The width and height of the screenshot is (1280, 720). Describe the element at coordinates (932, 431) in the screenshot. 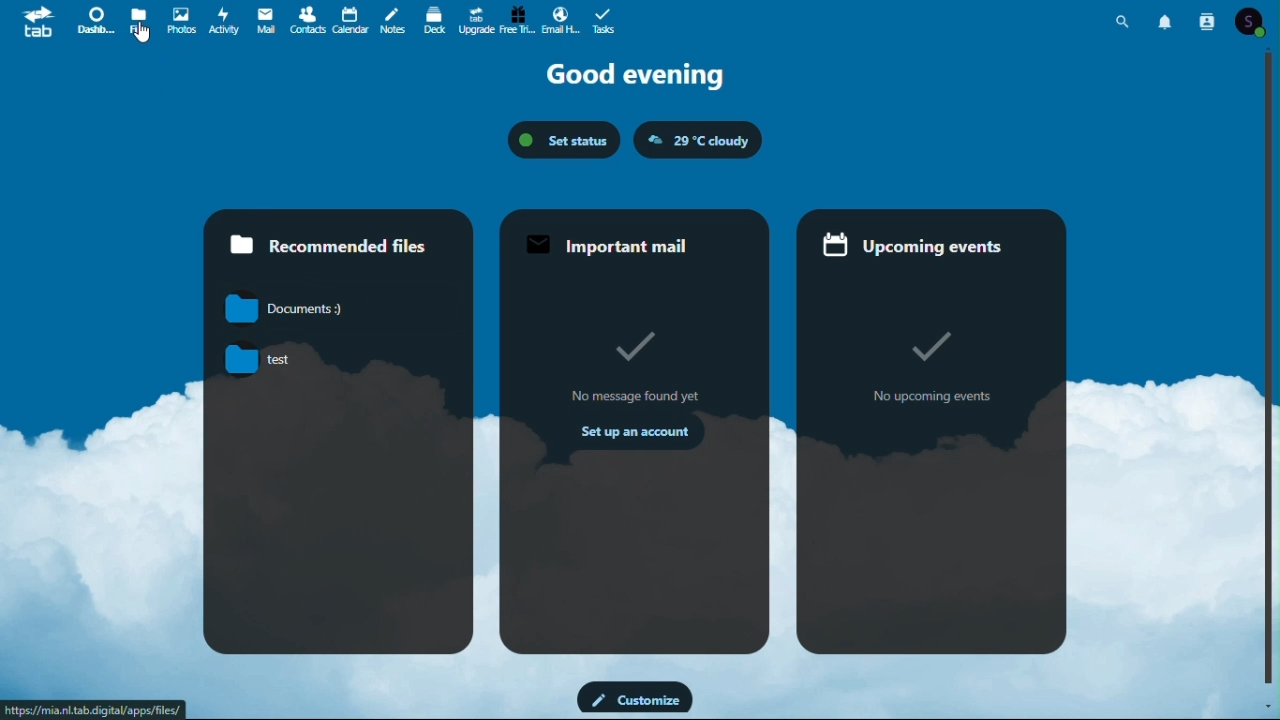

I see `Upcoming events` at that location.